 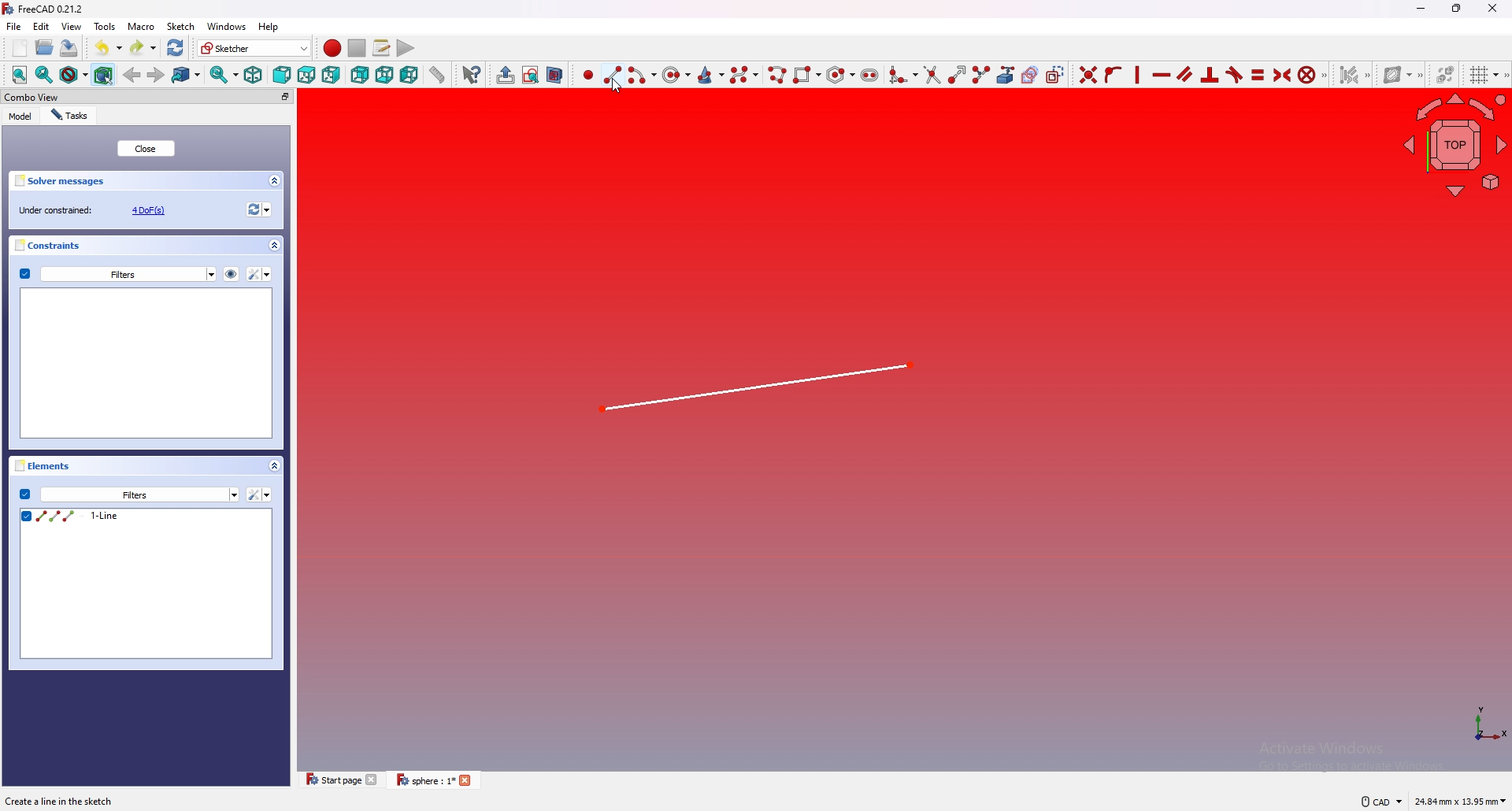 I want to click on Create B-spline, so click(x=745, y=74).